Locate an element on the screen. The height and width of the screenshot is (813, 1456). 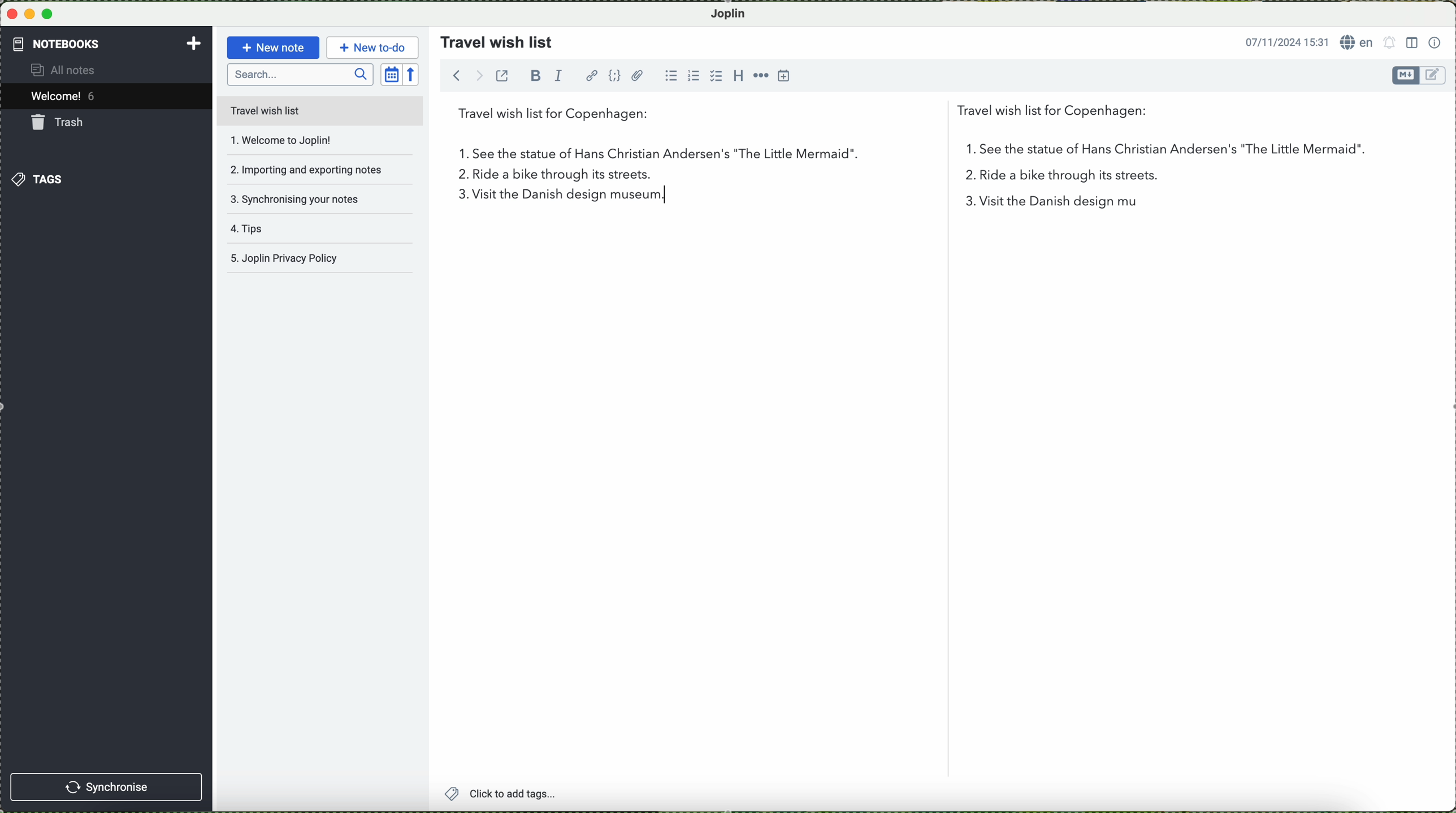
ride a bike through its streets. is located at coordinates (554, 176).